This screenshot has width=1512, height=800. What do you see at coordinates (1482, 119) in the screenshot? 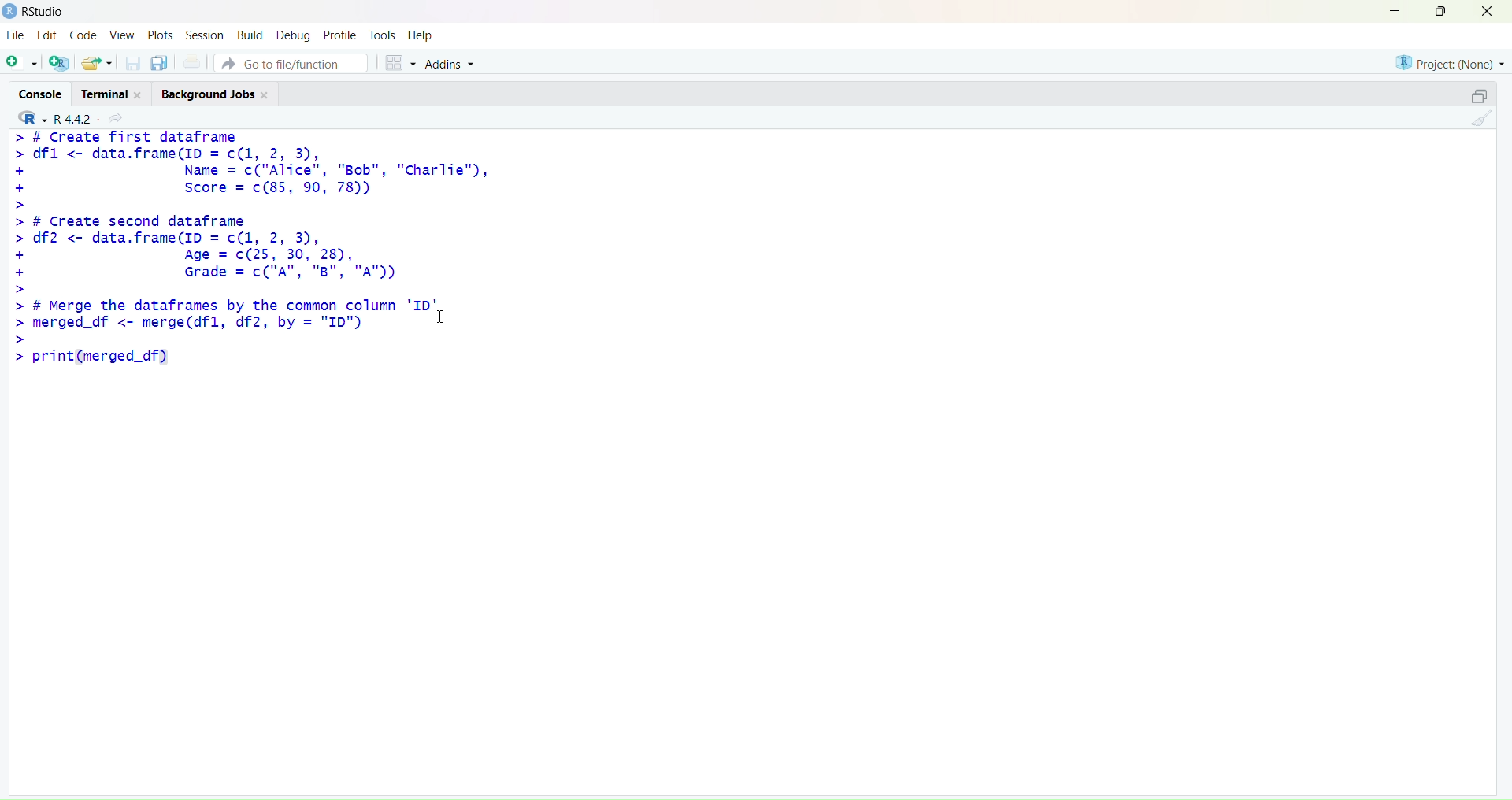
I see `clear console` at bounding box center [1482, 119].